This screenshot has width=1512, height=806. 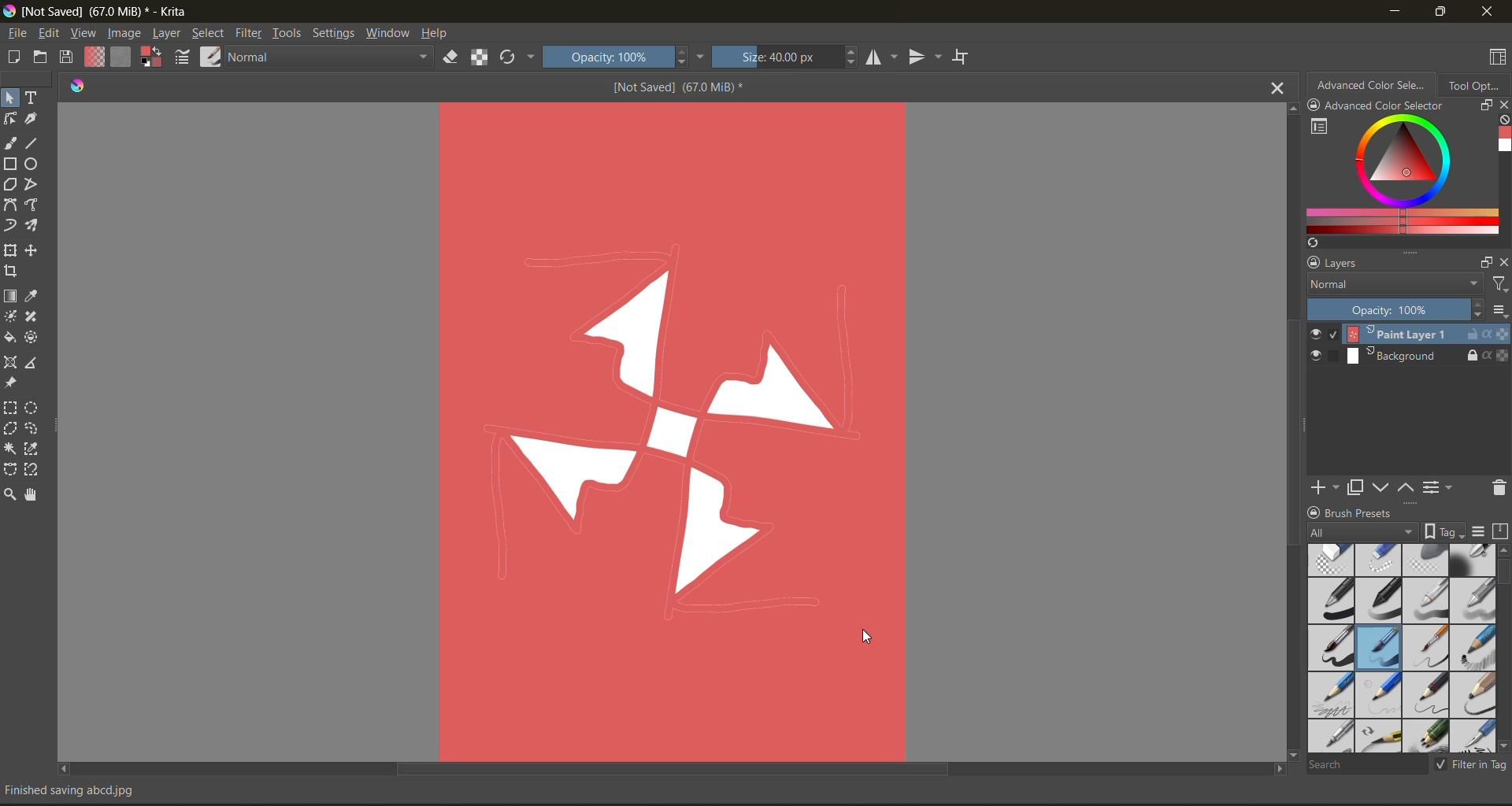 What do you see at coordinates (11, 360) in the screenshot?
I see `tools` at bounding box center [11, 360].